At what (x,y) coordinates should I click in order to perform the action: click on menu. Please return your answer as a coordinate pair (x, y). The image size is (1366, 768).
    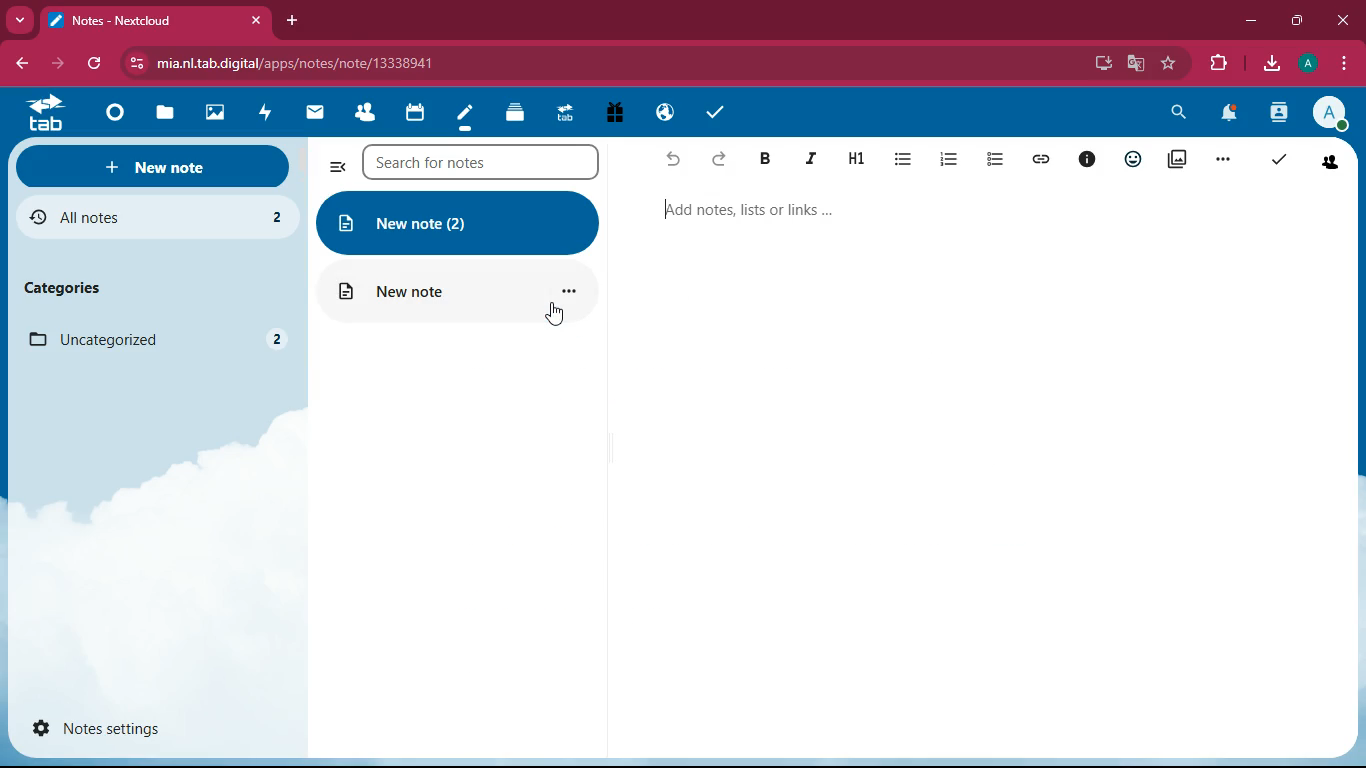
    Looking at the image, I should click on (1346, 63).